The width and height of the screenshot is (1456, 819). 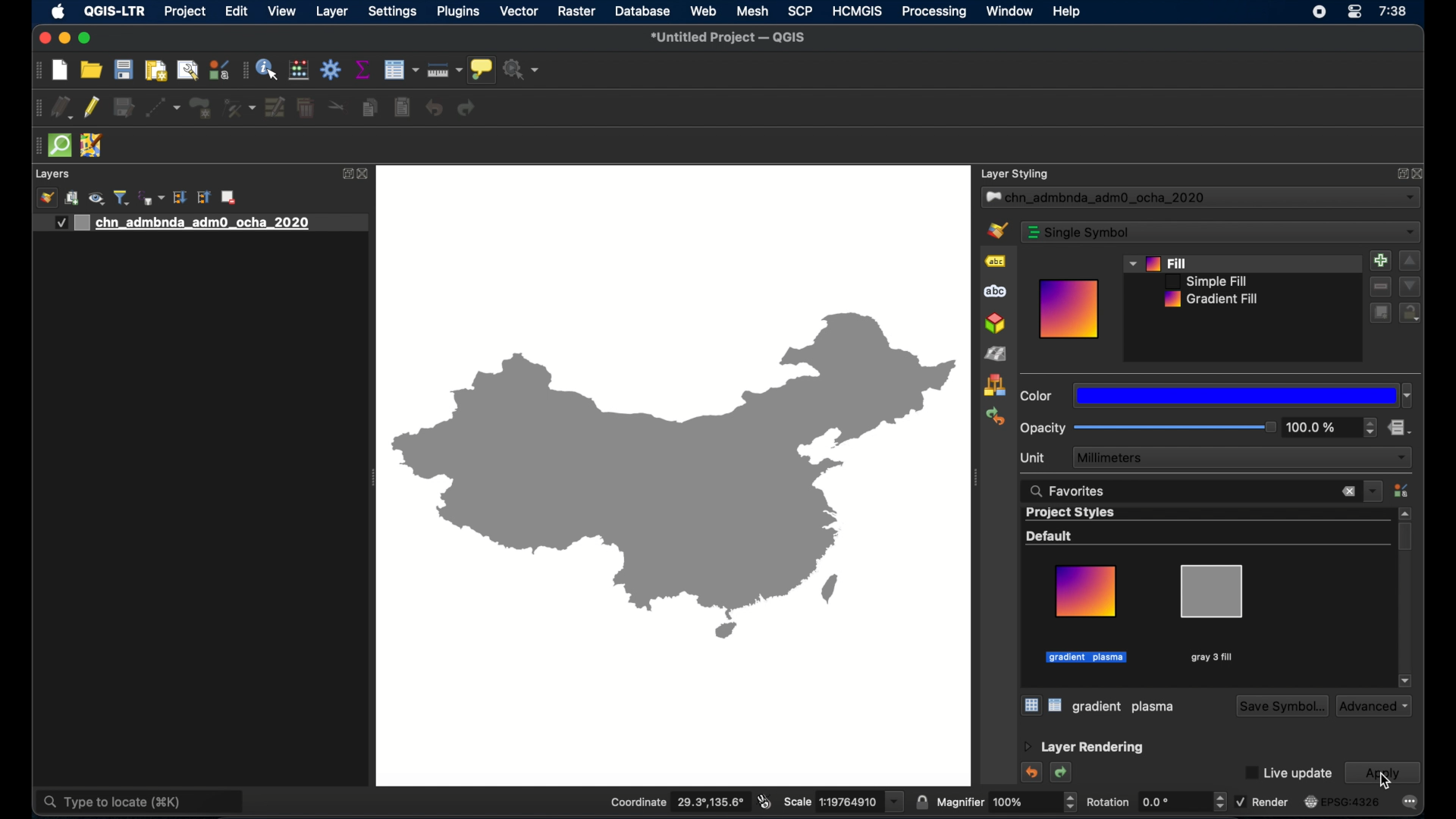 What do you see at coordinates (1050, 536) in the screenshot?
I see `default` at bounding box center [1050, 536].